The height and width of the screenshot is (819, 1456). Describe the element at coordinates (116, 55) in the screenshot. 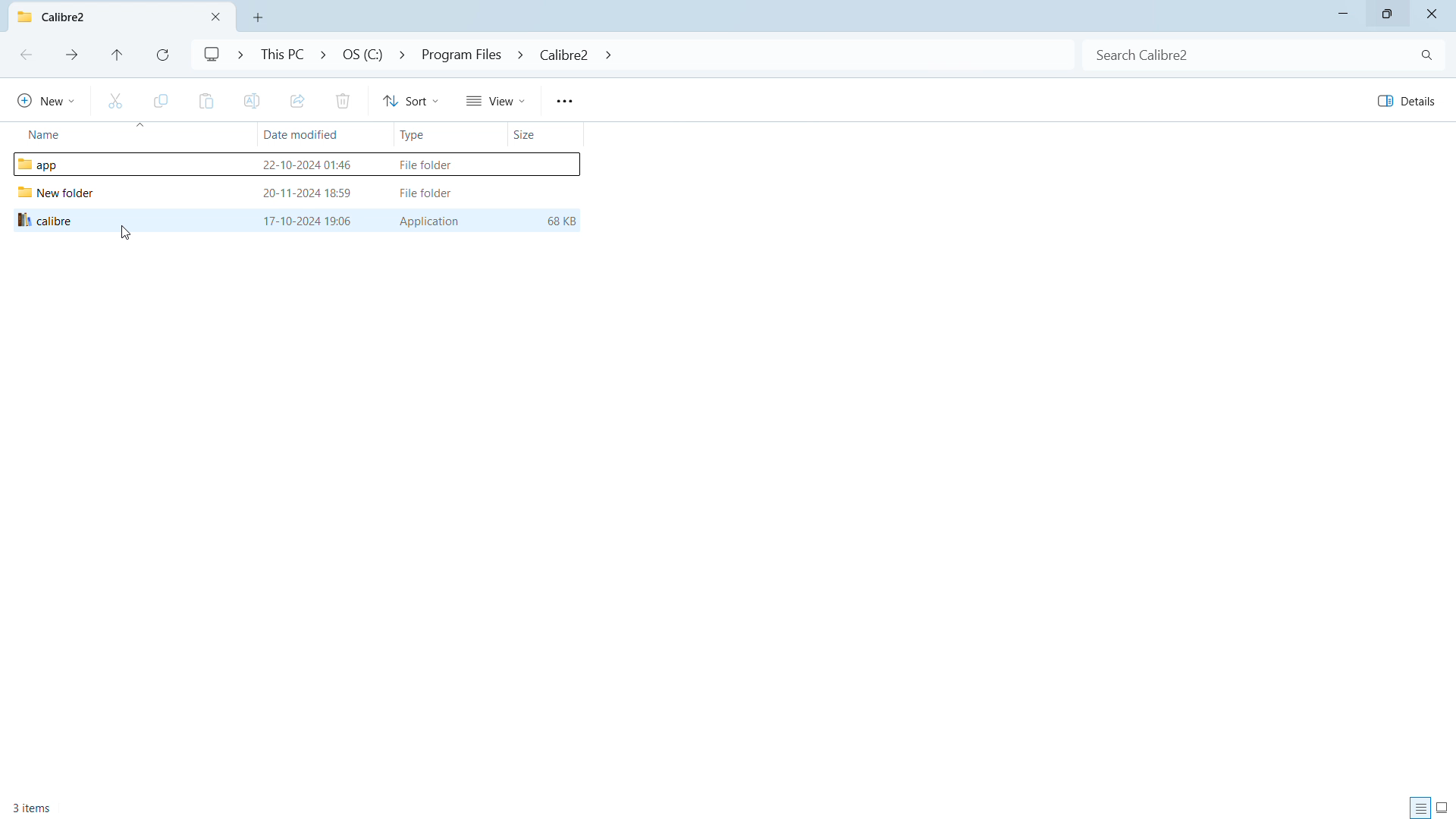

I see `go to originating folder` at that location.